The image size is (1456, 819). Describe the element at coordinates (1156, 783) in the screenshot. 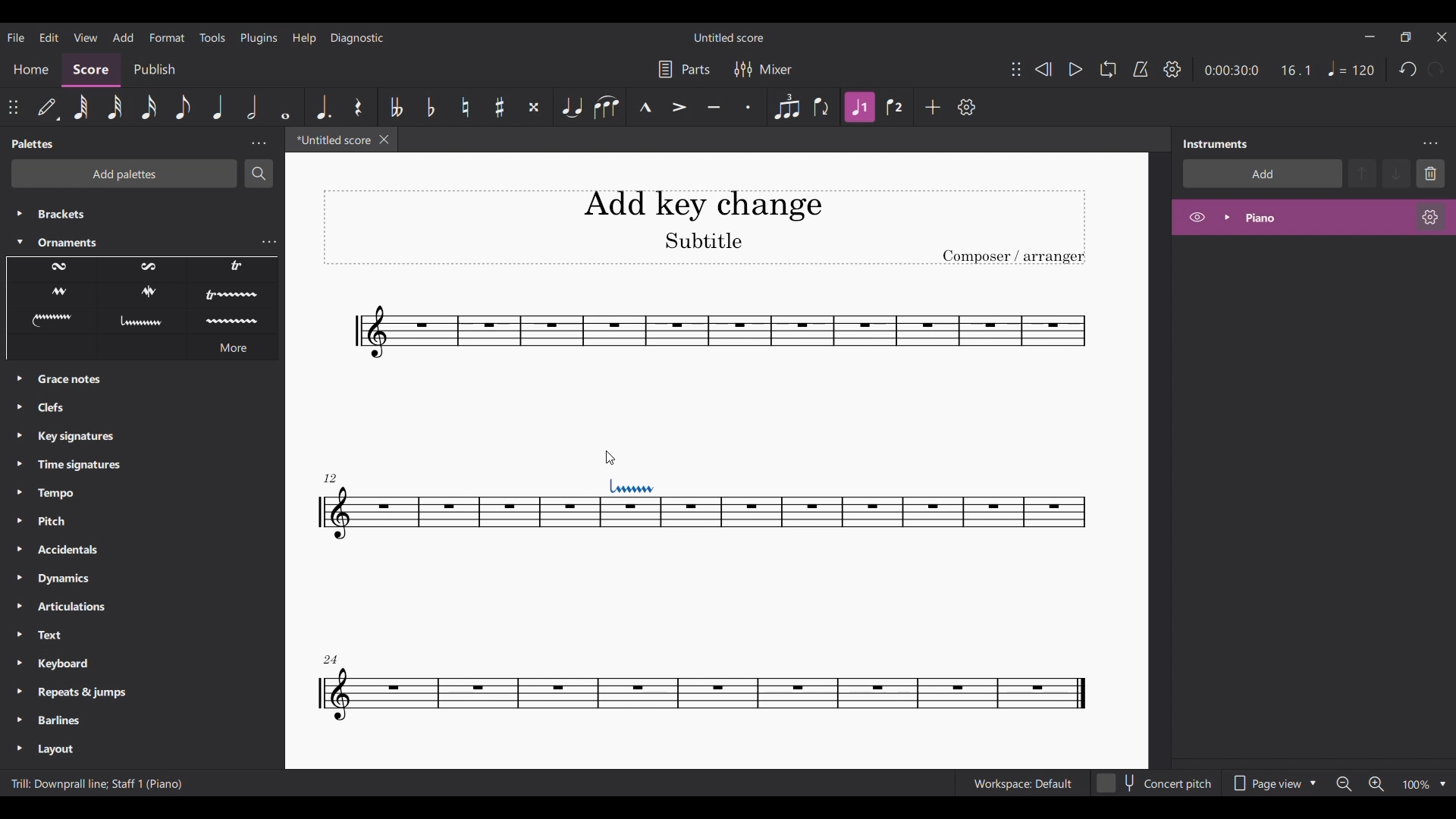

I see `Toggle for Concert pitch` at that location.